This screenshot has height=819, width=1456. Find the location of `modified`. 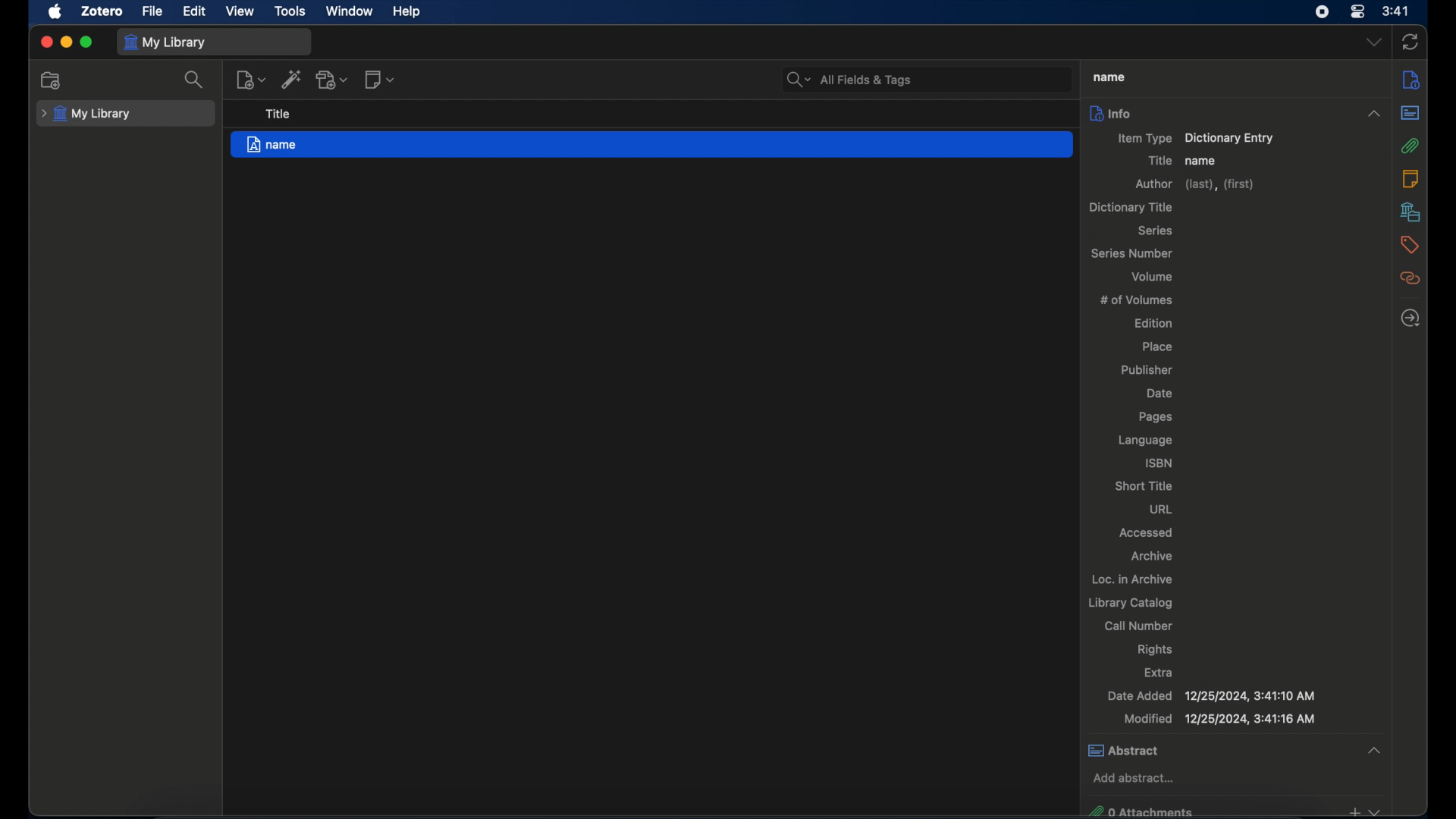

modified is located at coordinates (1219, 719).